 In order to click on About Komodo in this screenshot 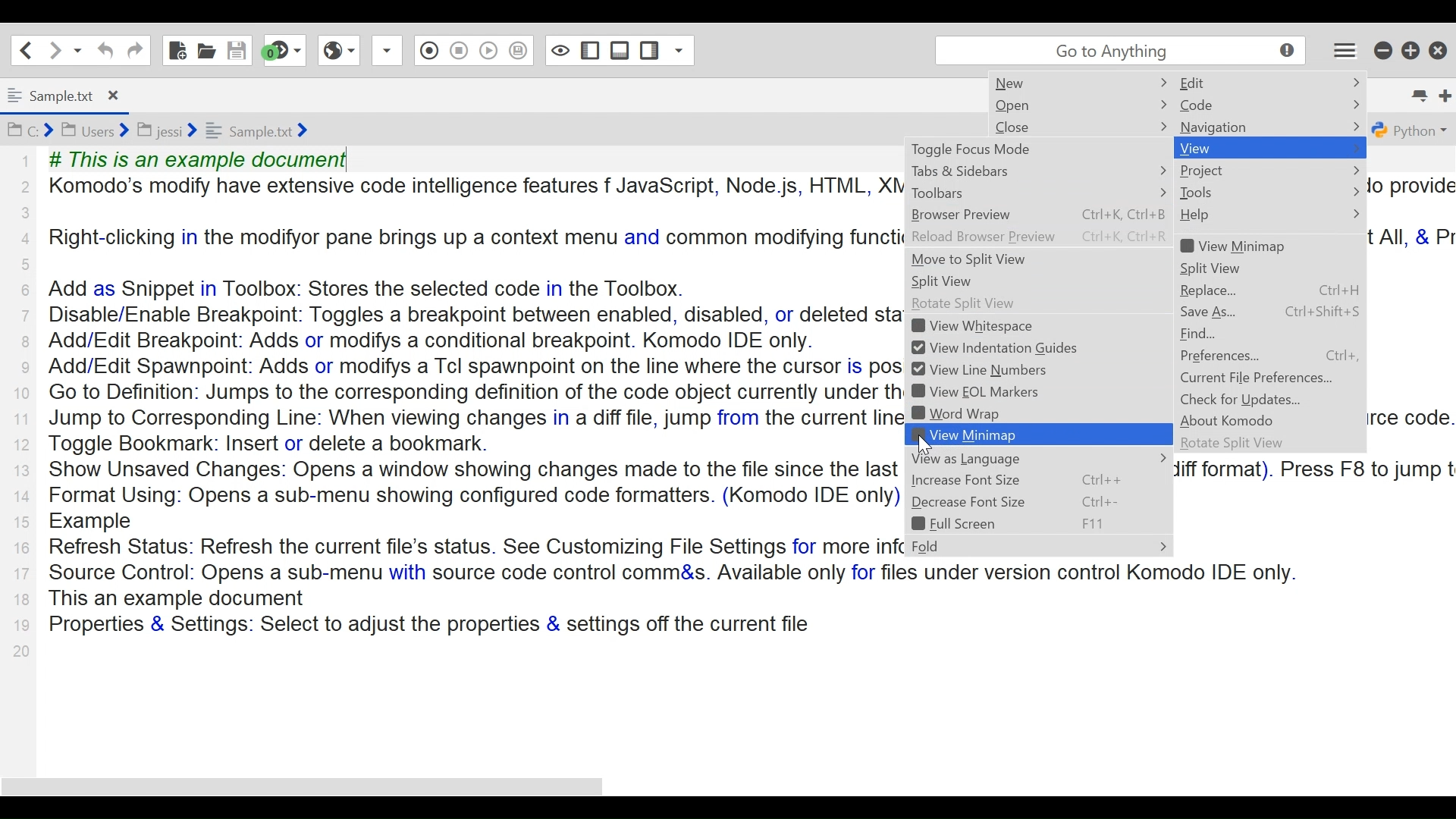, I will do `click(1232, 421)`.